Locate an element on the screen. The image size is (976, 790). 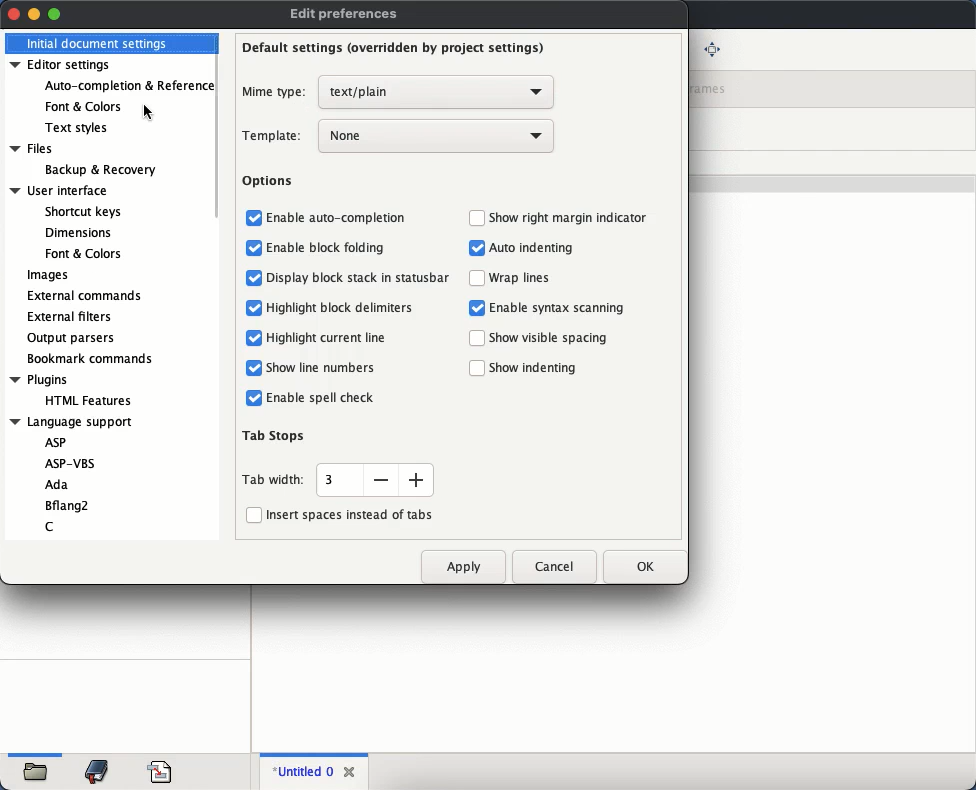
insert spaces instead of tabs is located at coordinates (340, 514).